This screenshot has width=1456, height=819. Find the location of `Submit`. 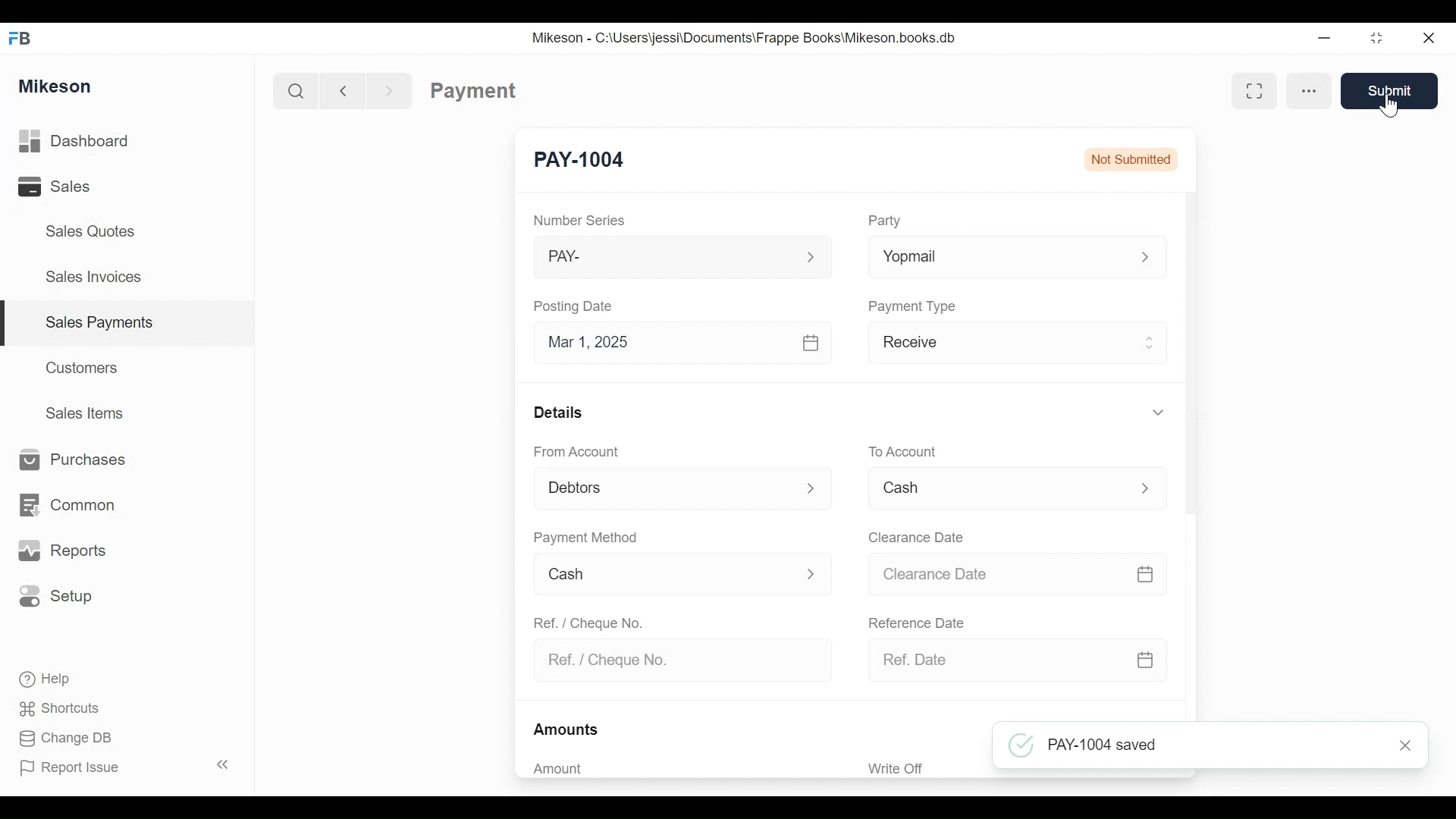

Submit is located at coordinates (1392, 90).